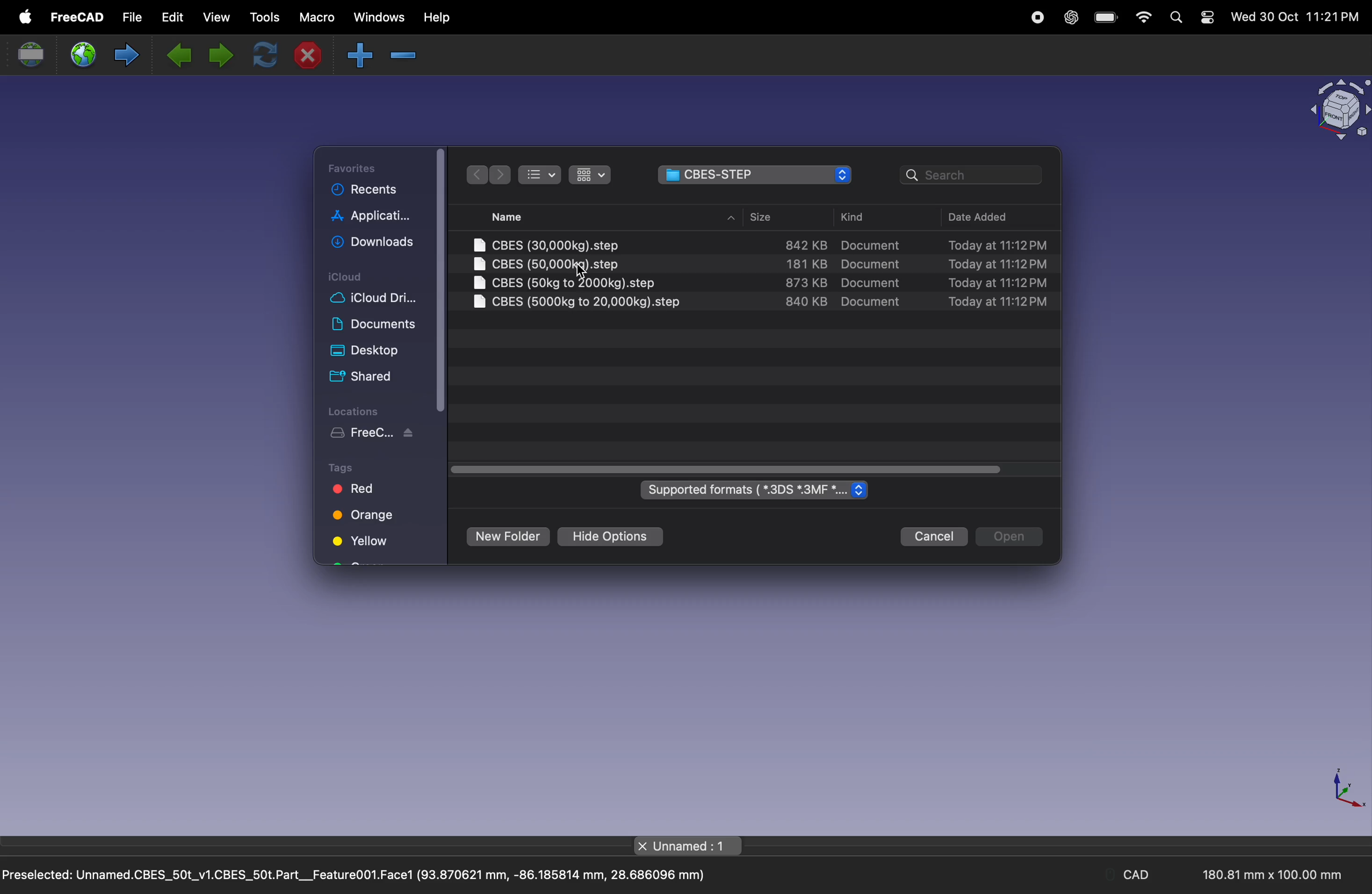 The width and height of the screenshot is (1372, 894). Describe the element at coordinates (1014, 538) in the screenshot. I see `open` at that location.